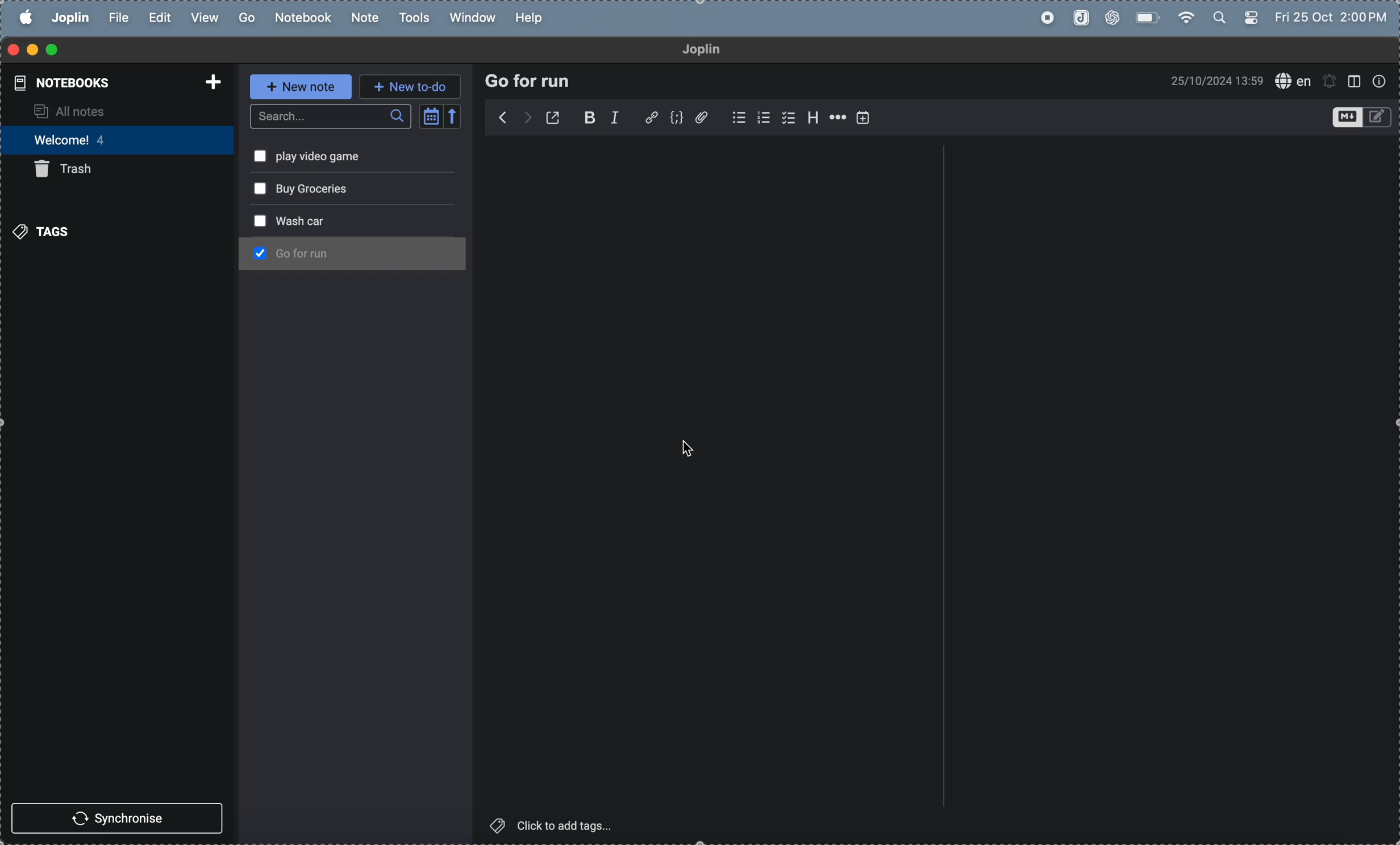 The height and width of the screenshot is (845, 1400). I want to click on cursor, so click(691, 451).